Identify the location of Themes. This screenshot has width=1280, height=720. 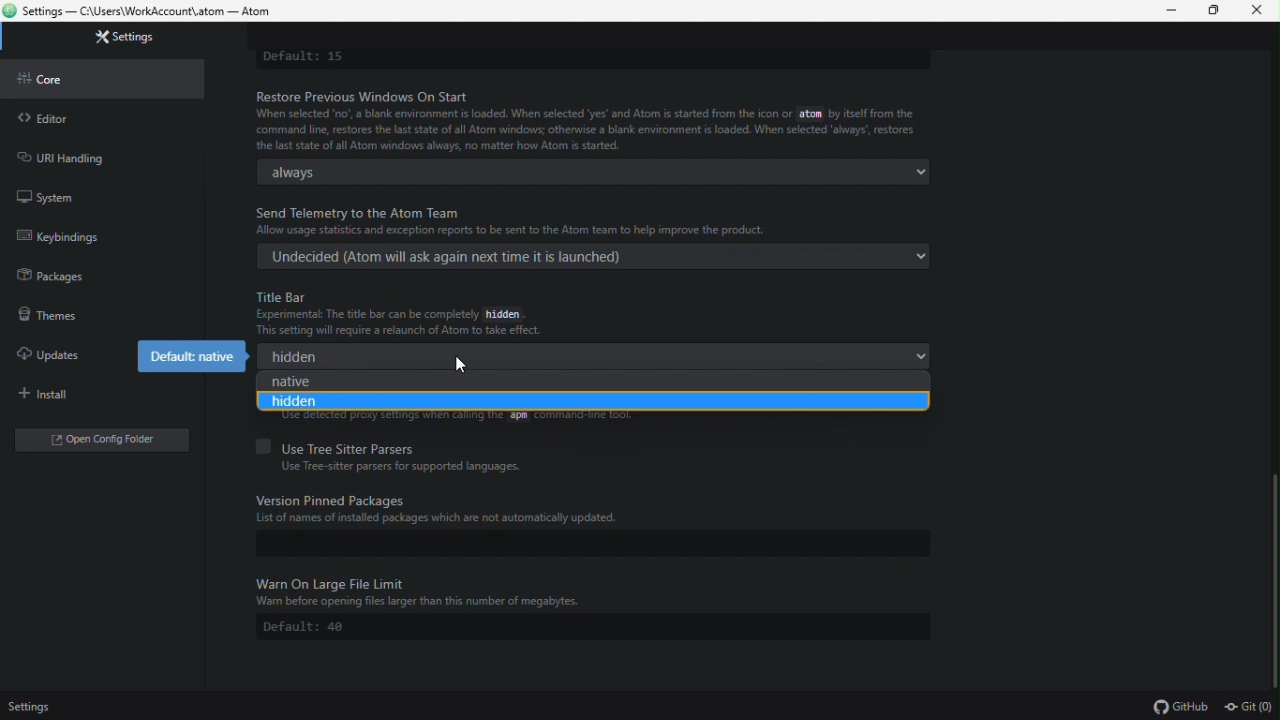
(96, 313).